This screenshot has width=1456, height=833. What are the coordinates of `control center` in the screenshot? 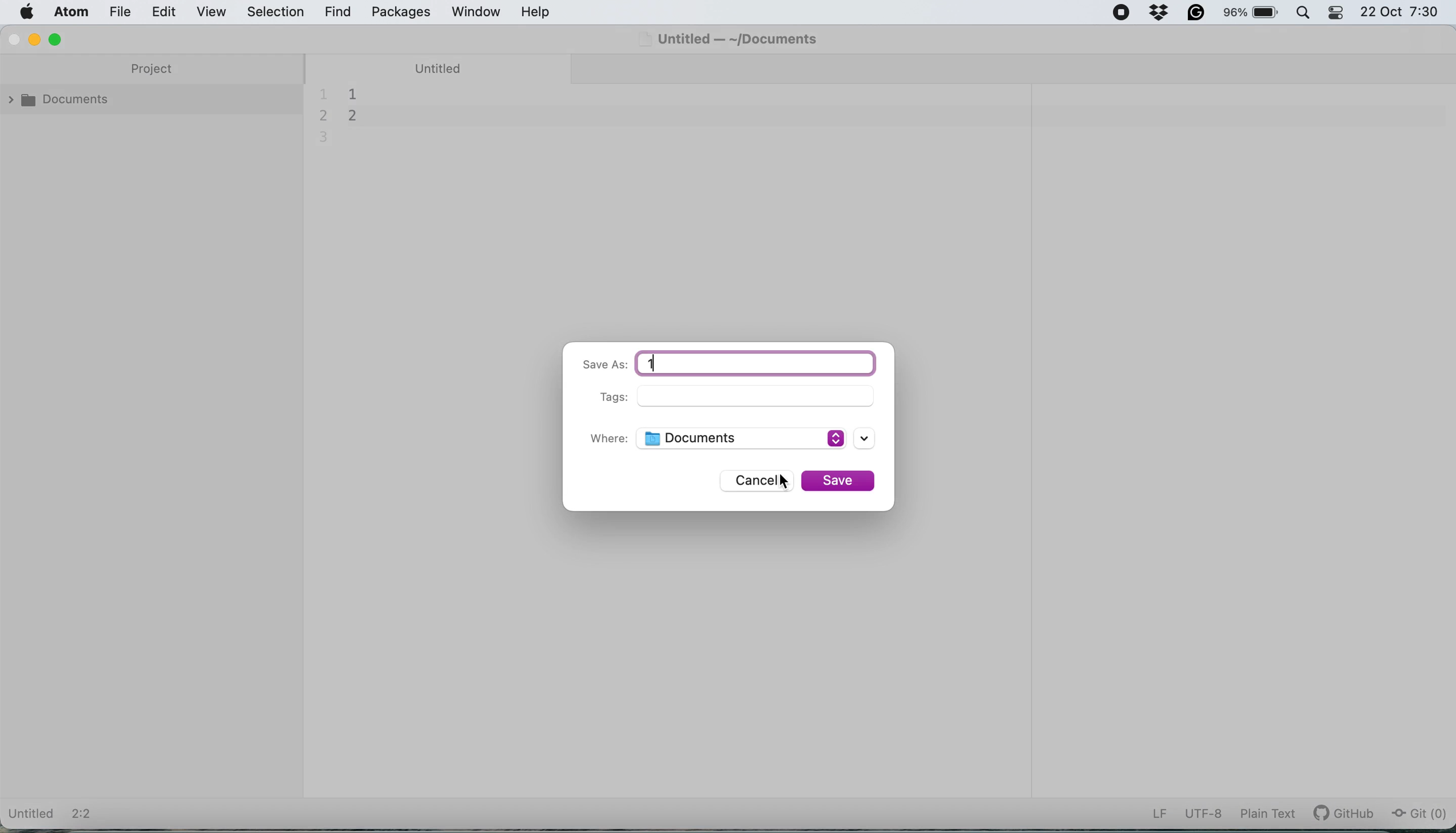 It's located at (1336, 13).